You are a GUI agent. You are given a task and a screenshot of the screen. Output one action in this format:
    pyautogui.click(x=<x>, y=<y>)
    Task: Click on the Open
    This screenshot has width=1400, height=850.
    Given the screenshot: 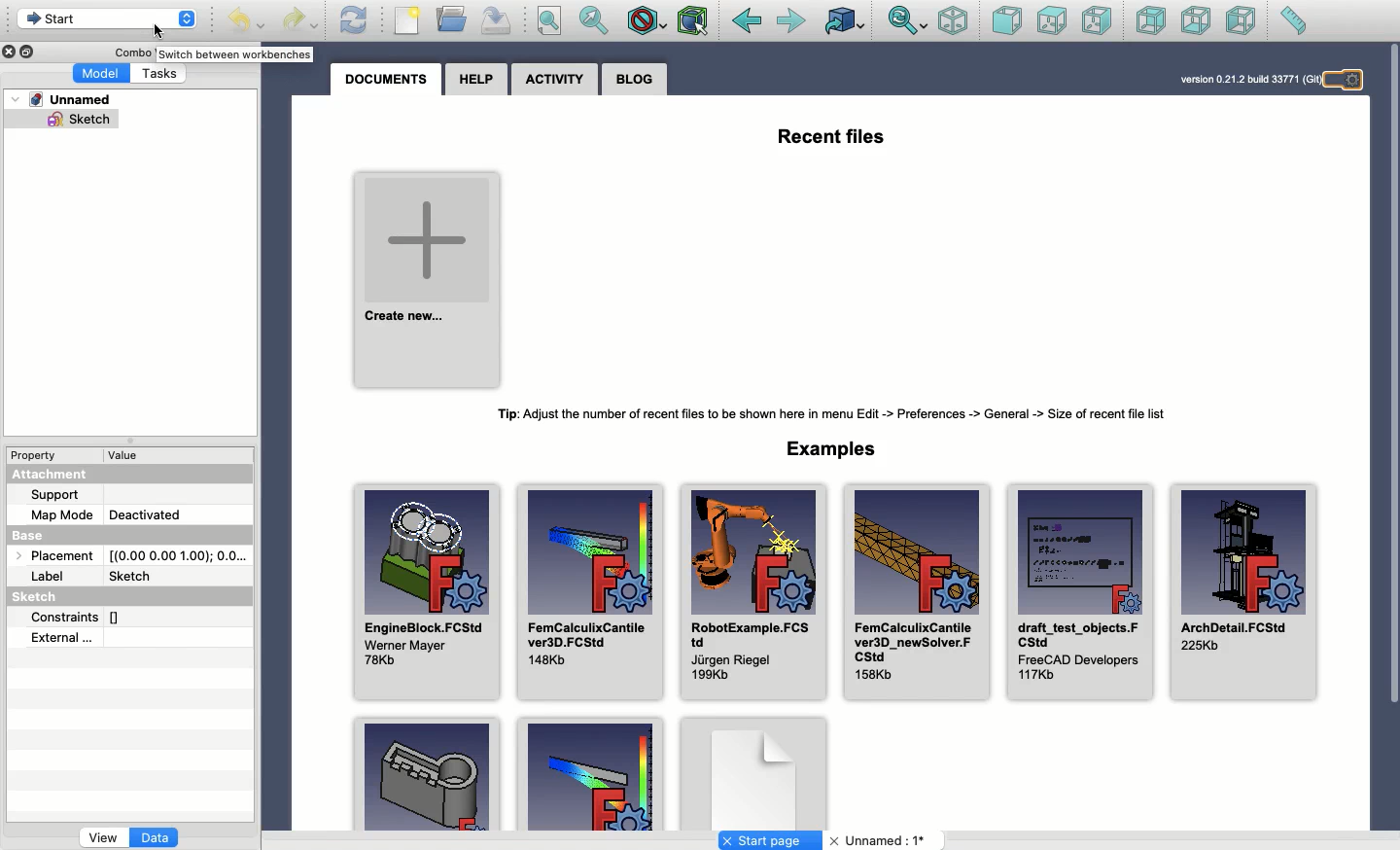 What is the action you would take?
    pyautogui.click(x=453, y=18)
    